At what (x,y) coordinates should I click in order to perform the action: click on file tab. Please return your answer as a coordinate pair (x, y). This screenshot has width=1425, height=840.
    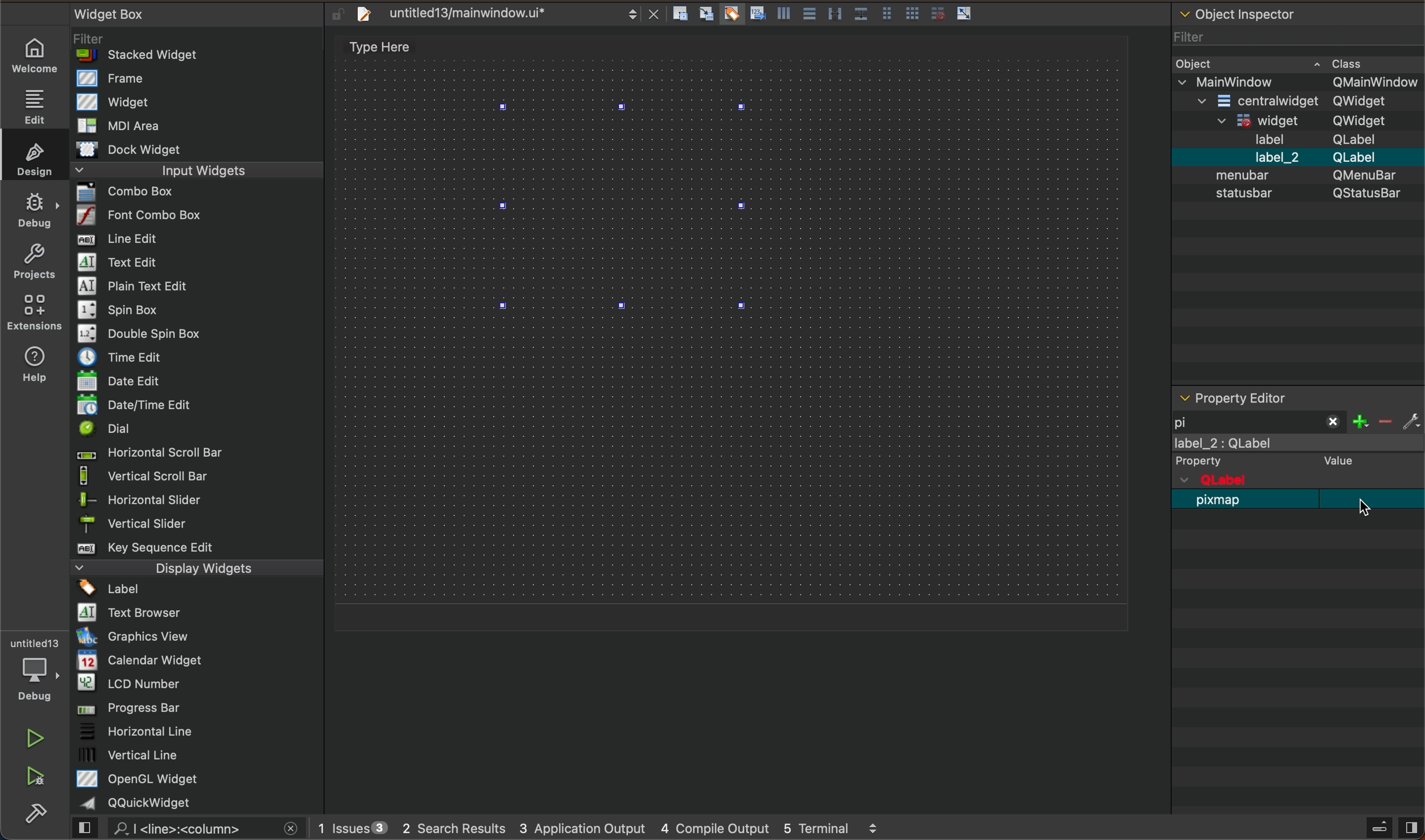
    Looking at the image, I should click on (503, 16).